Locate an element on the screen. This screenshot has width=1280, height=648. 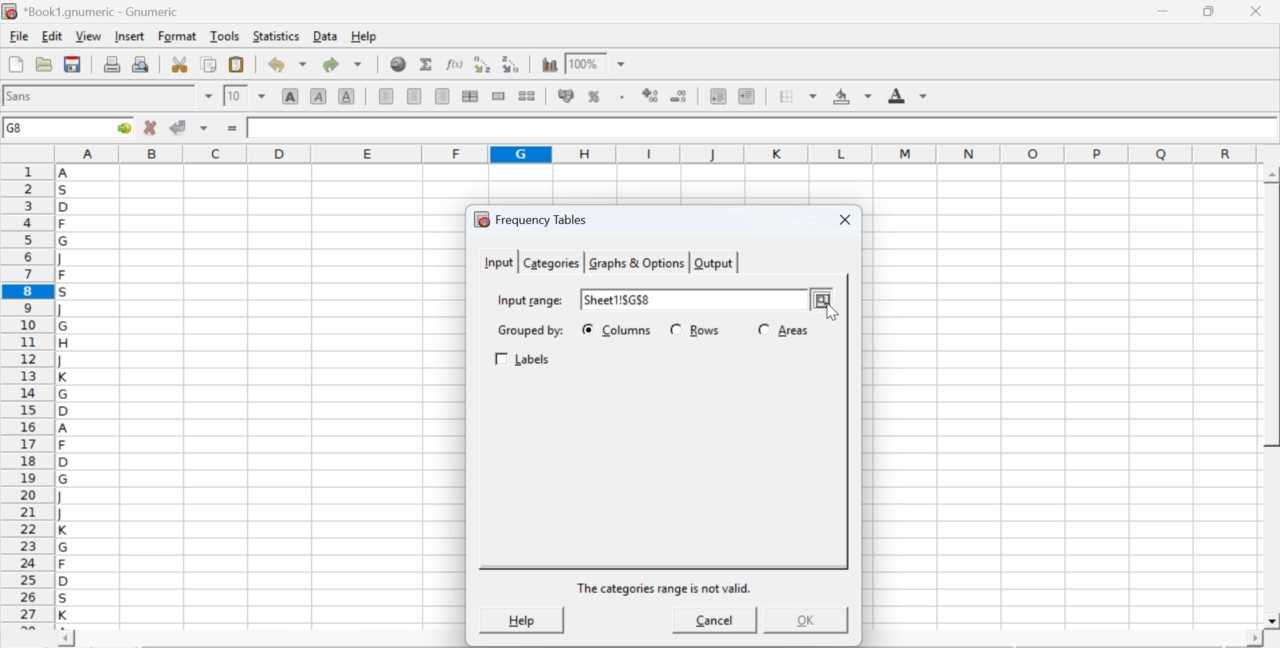
sum in current cell is located at coordinates (427, 63).